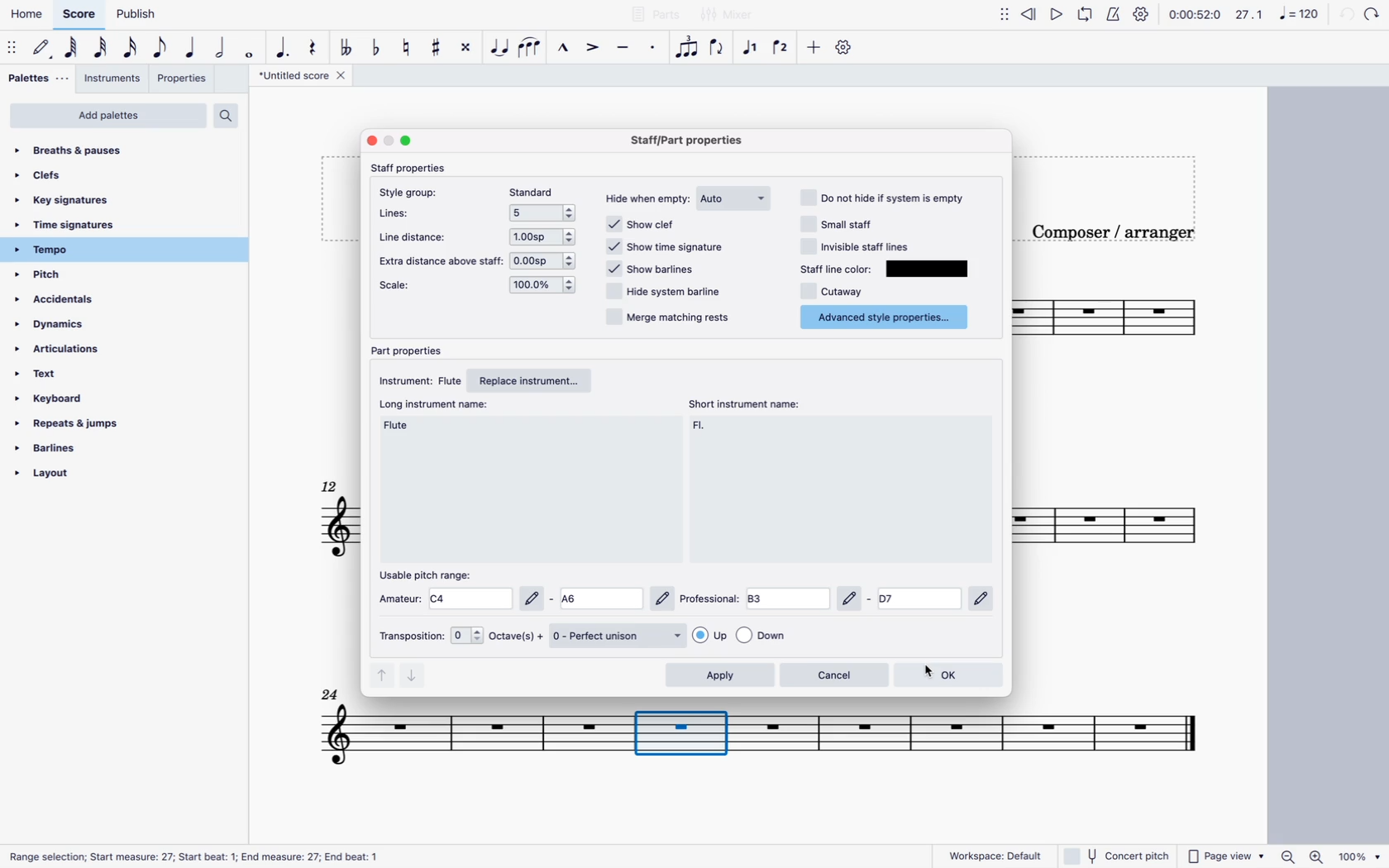  I want to click on , so click(733, 16).